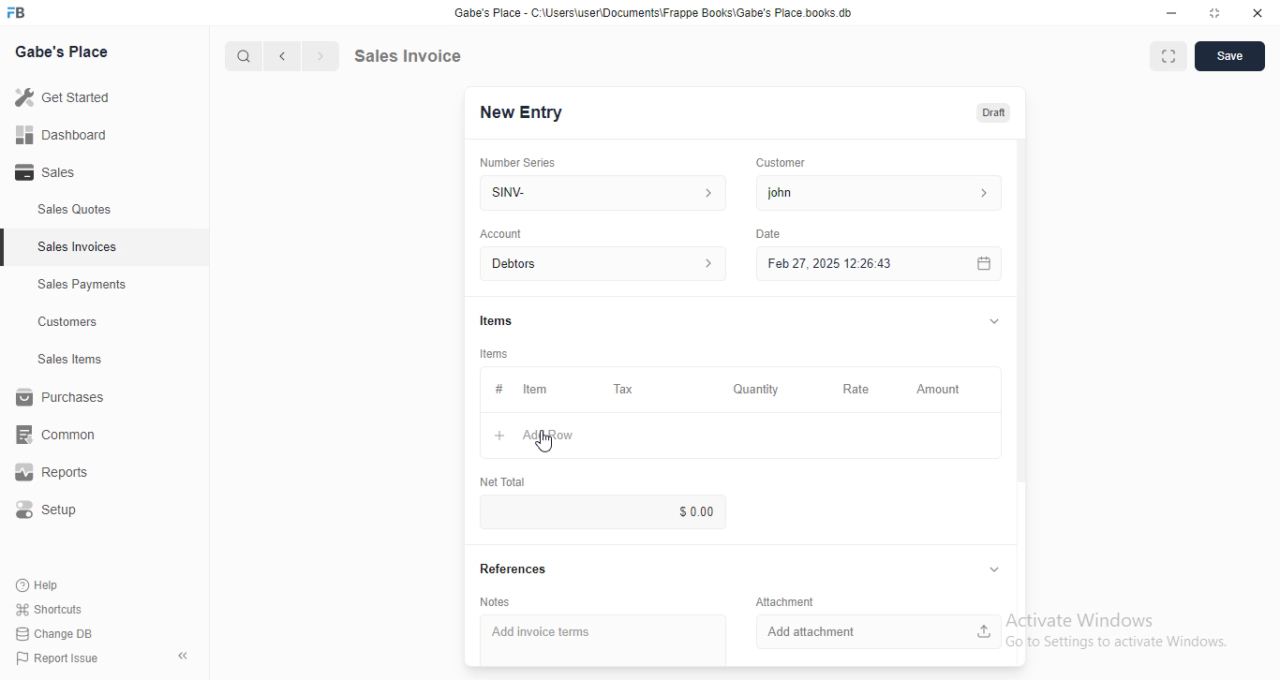 The height and width of the screenshot is (680, 1280). Describe the element at coordinates (541, 440) in the screenshot. I see `Ad row` at that location.